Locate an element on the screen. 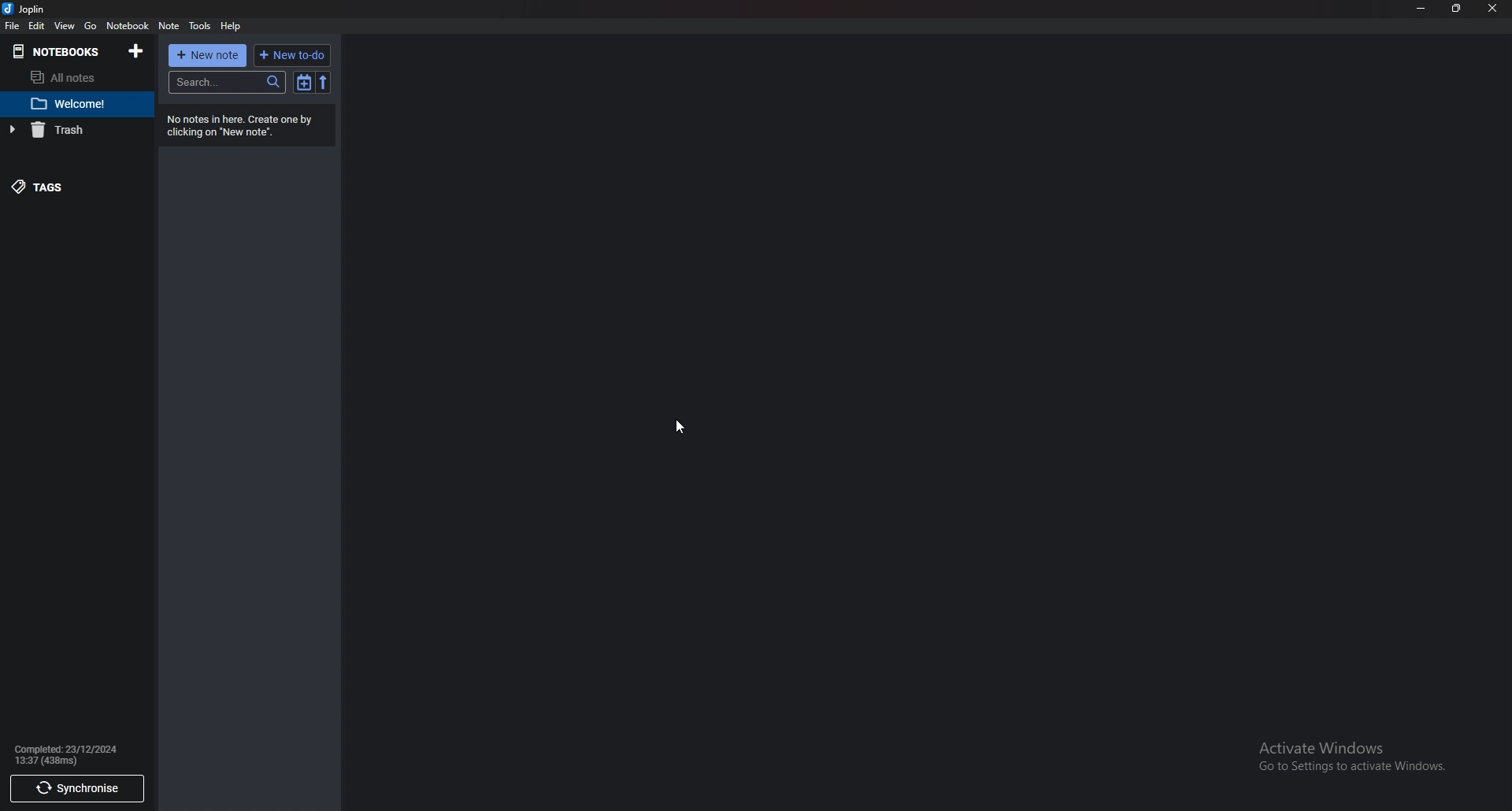  Reverse sort order is located at coordinates (323, 80).